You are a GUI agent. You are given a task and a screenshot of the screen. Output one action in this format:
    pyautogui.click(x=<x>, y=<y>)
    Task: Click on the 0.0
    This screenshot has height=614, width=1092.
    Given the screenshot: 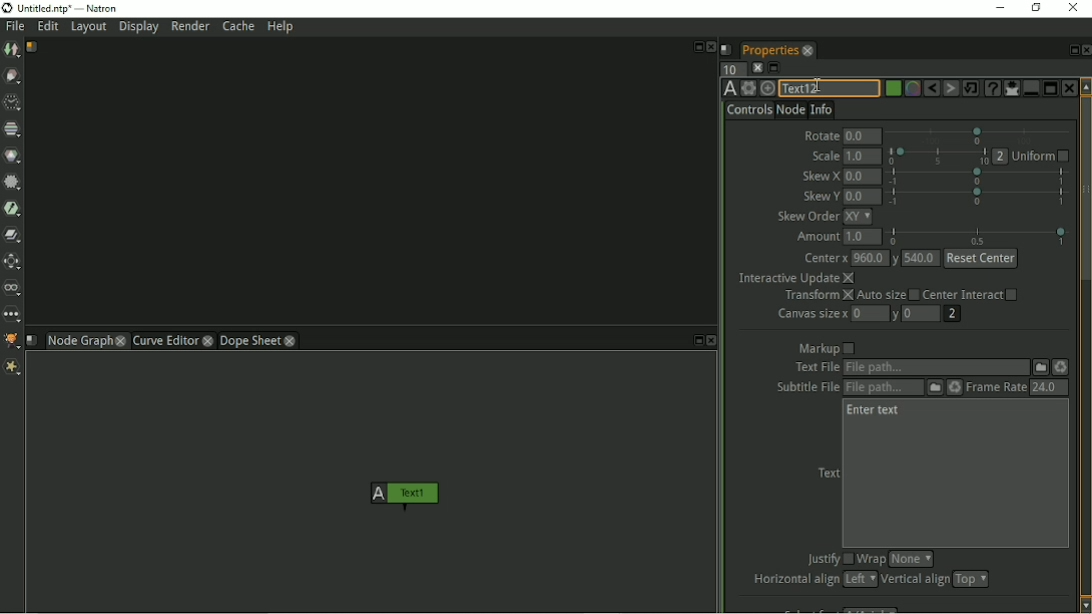 What is the action you would take?
    pyautogui.click(x=862, y=197)
    